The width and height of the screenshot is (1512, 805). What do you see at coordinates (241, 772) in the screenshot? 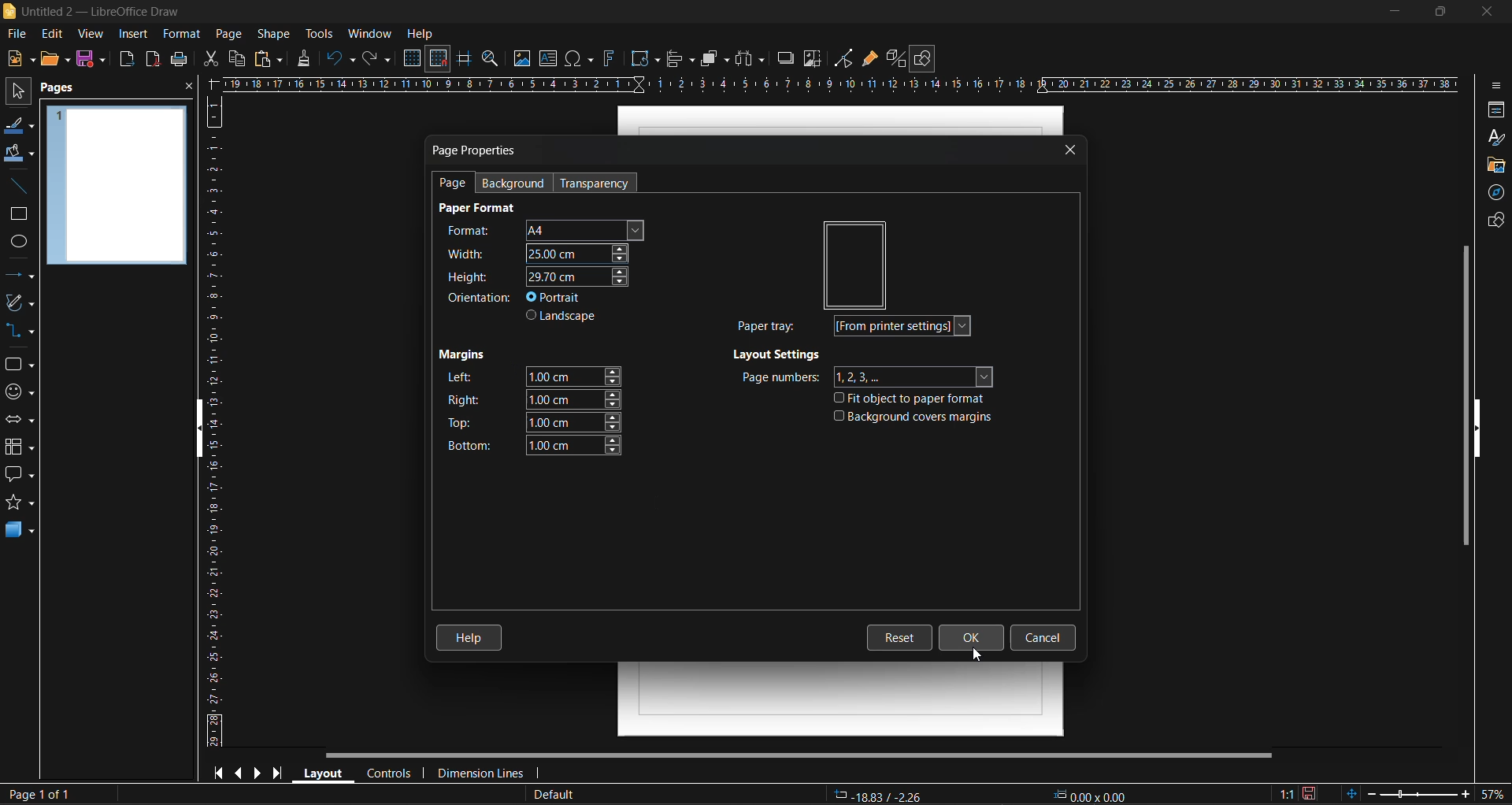
I see `previous` at bounding box center [241, 772].